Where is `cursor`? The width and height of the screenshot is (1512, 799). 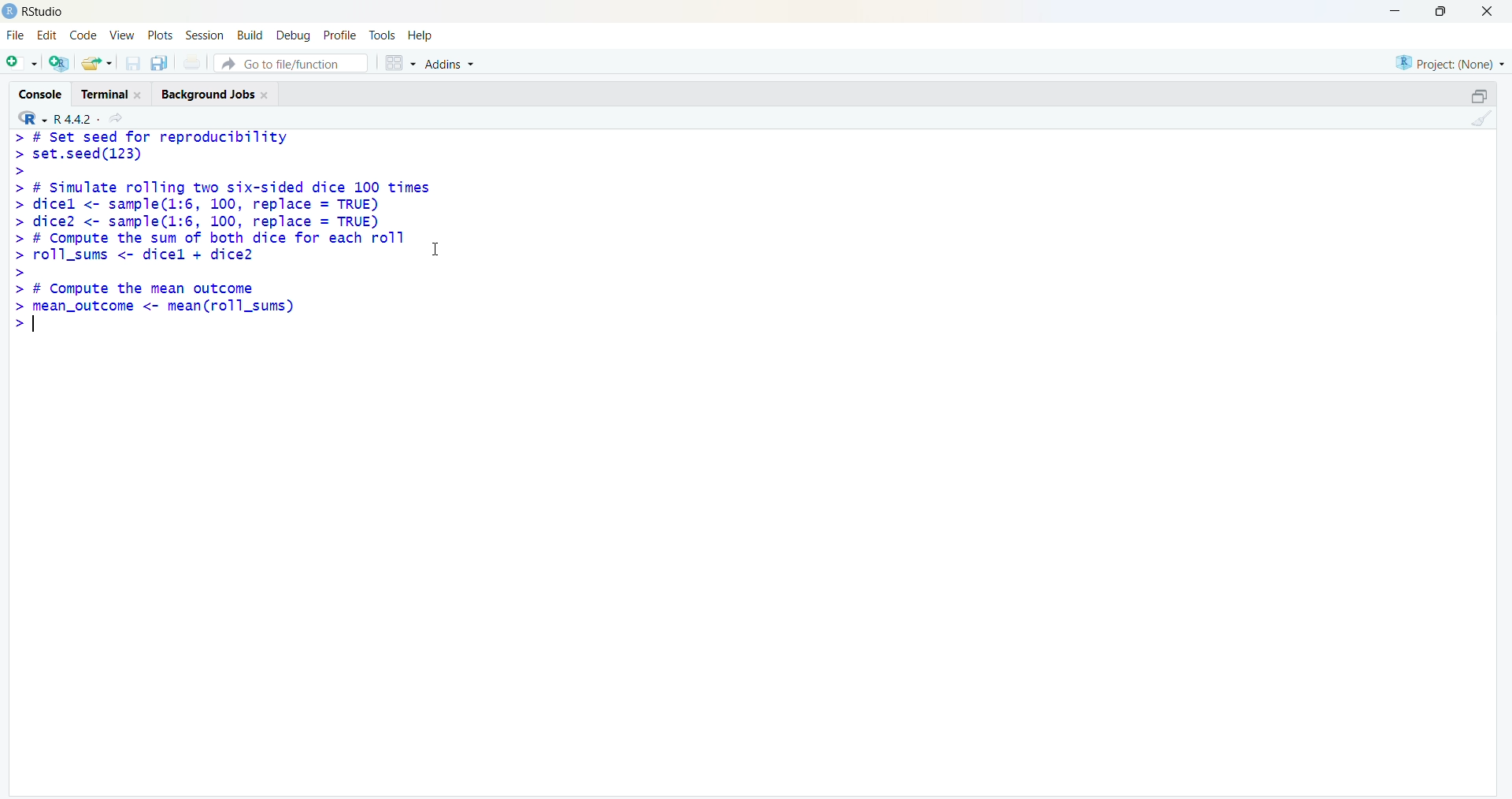
cursor is located at coordinates (435, 250).